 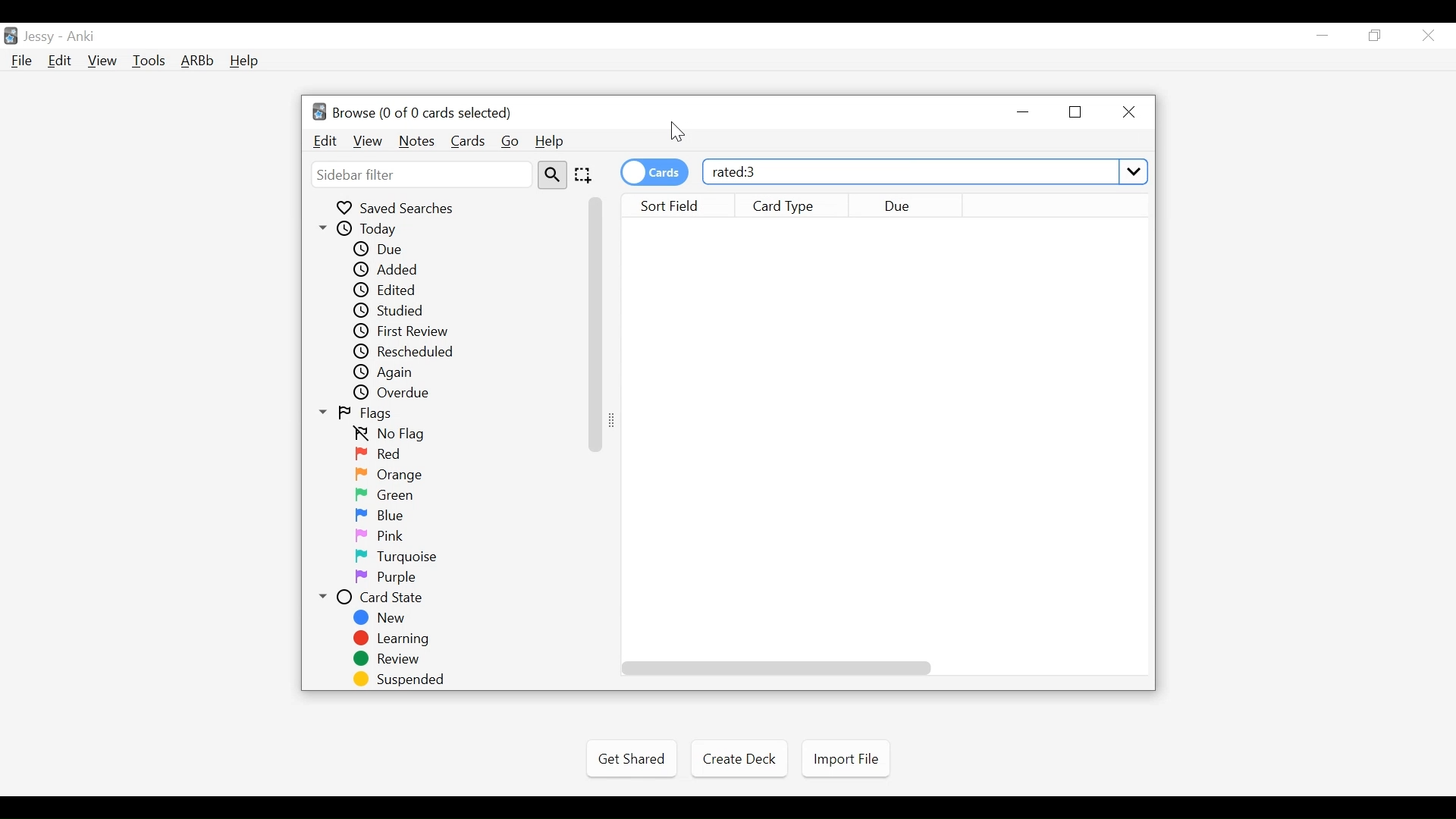 What do you see at coordinates (11, 36) in the screenshot?
I see `Anki Desktop Icon` at bounding box center [11, 36].